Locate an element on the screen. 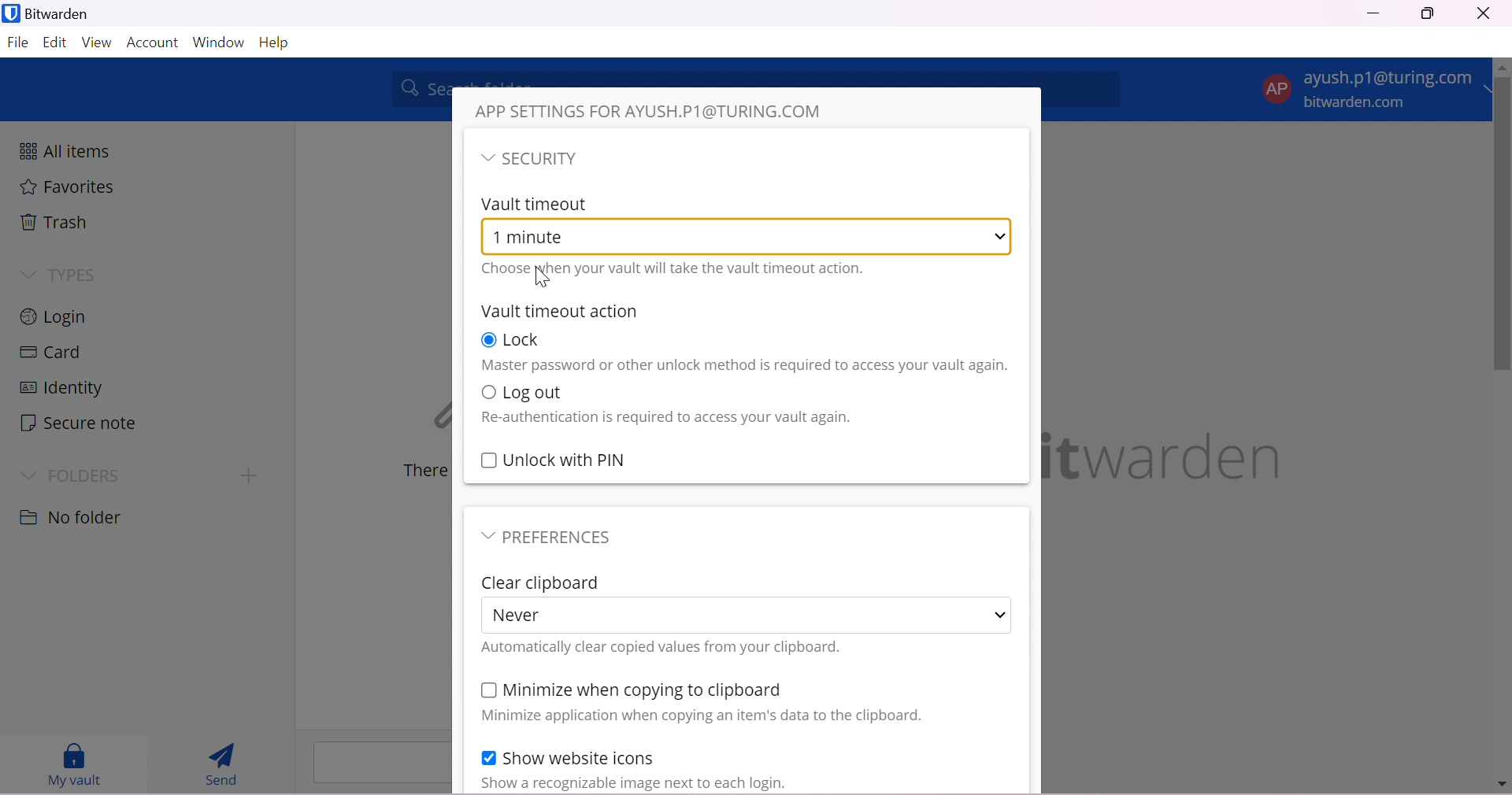 The height and width of the screenshot is (795, 1512). Vault timeout action is located at coordinates (561, 311).